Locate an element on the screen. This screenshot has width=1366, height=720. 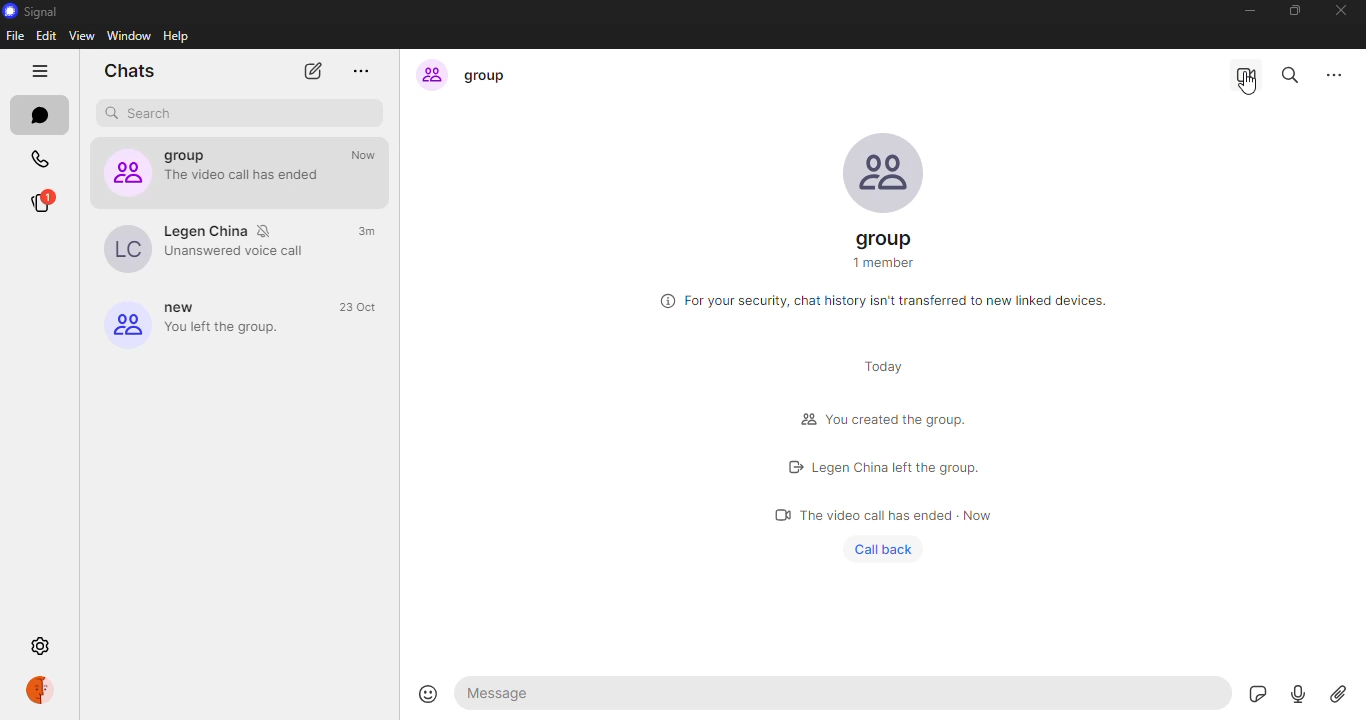
calls is located at coordinates (44, 158).